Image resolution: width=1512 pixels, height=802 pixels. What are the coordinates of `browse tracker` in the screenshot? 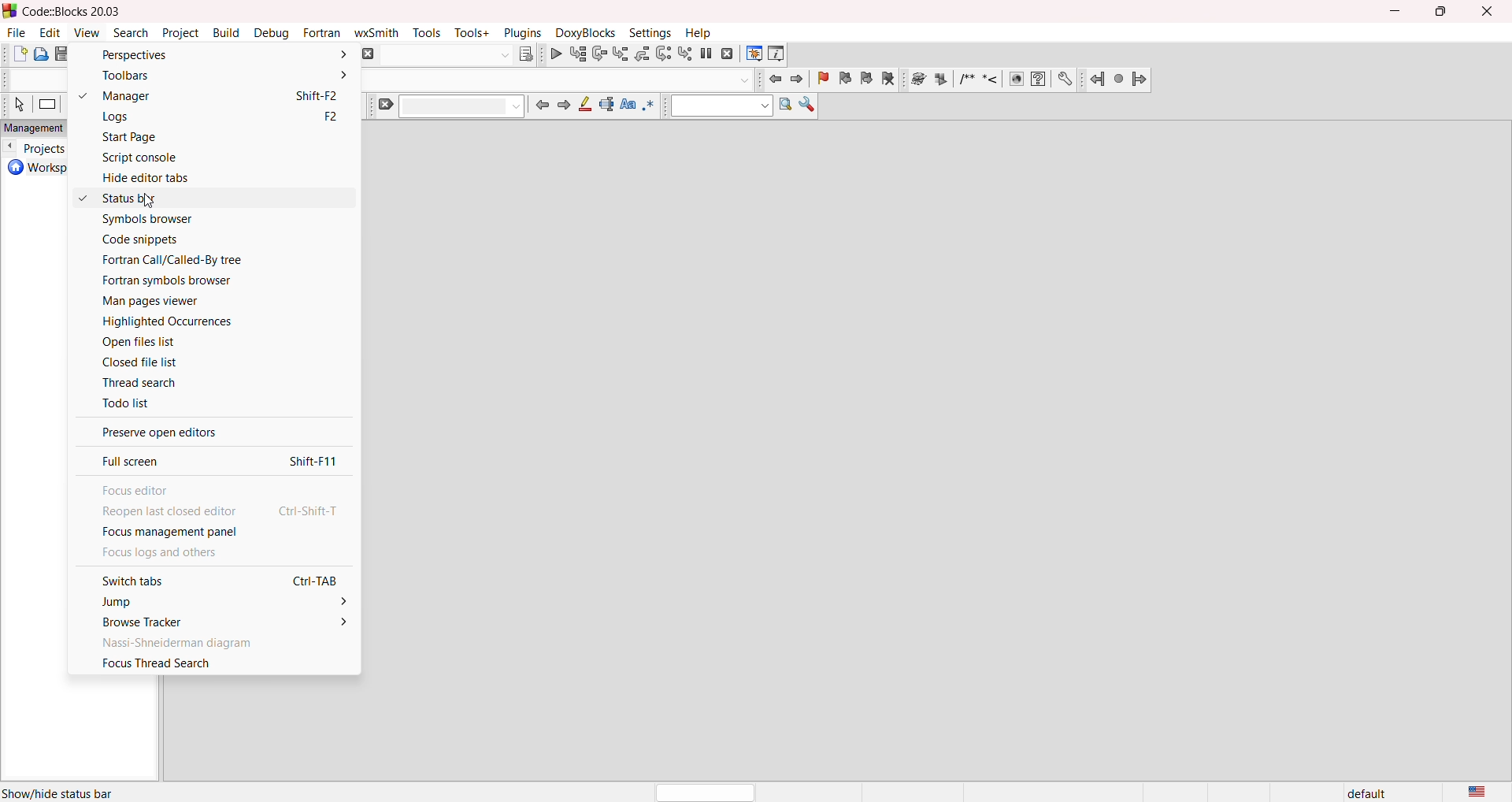 It's located at (213, 622).